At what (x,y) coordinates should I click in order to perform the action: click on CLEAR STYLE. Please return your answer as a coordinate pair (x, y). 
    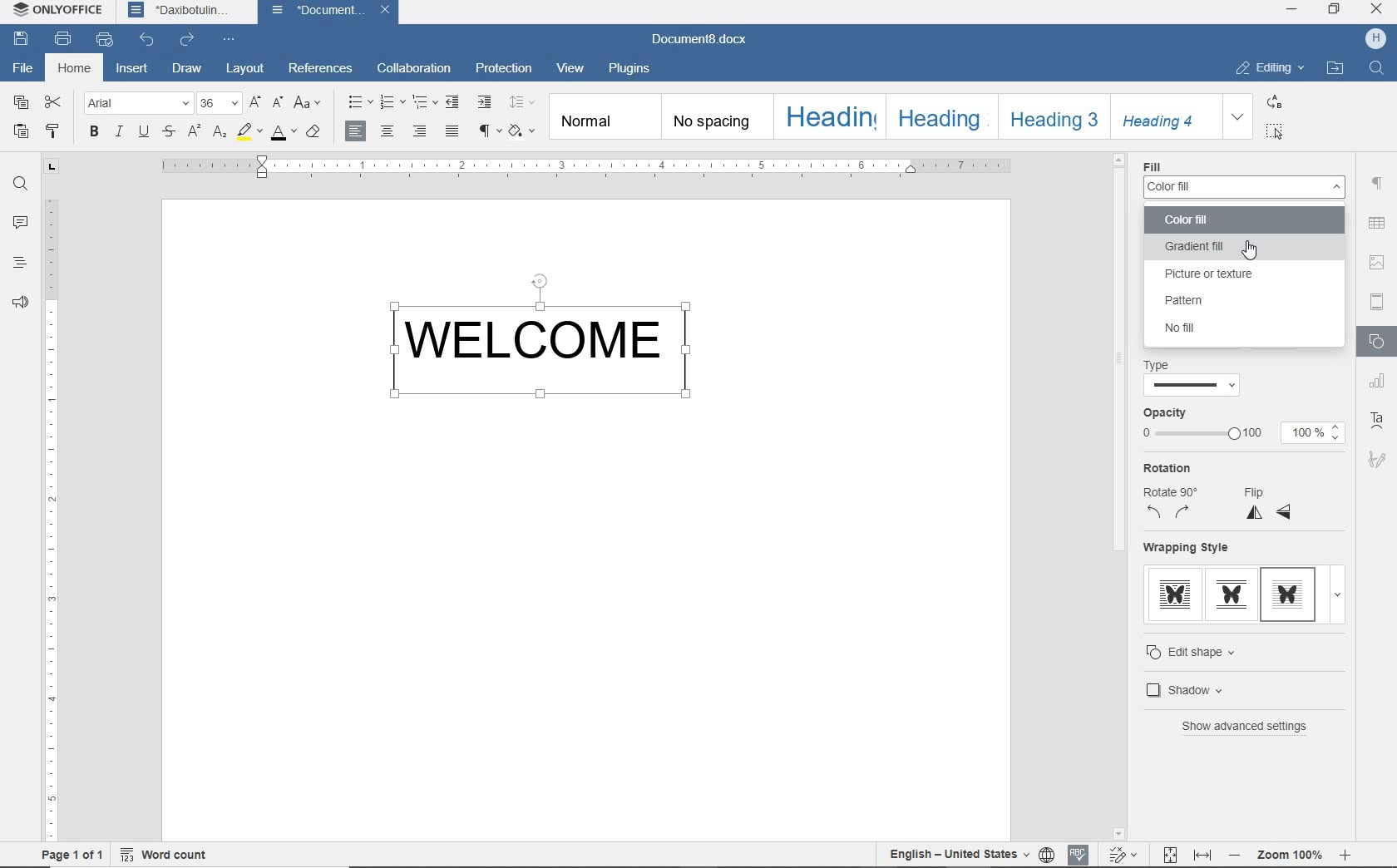
    Looking at the image, I should click on (313, 132).